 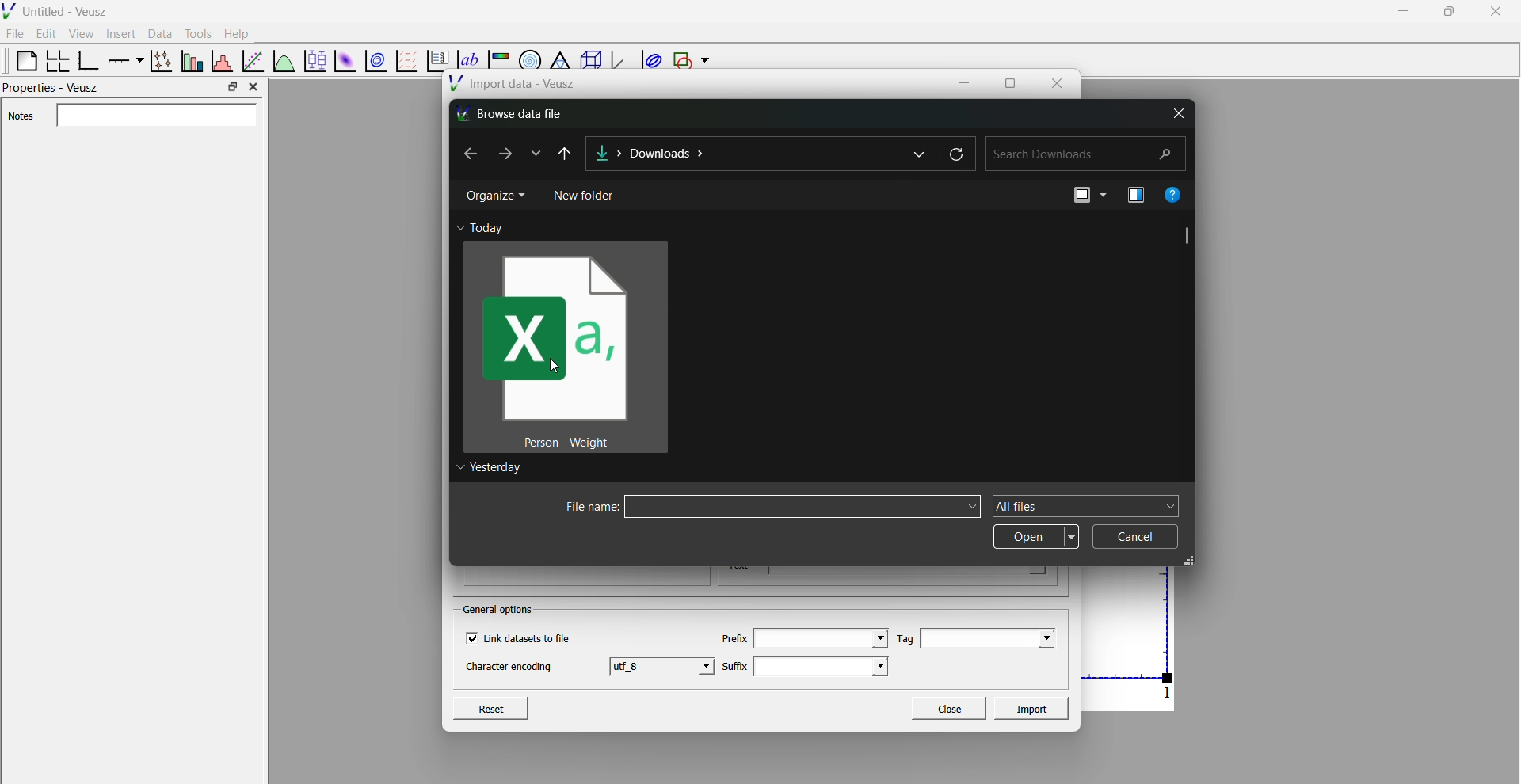 I want to click on All Files, so click(x=1069, y=506).